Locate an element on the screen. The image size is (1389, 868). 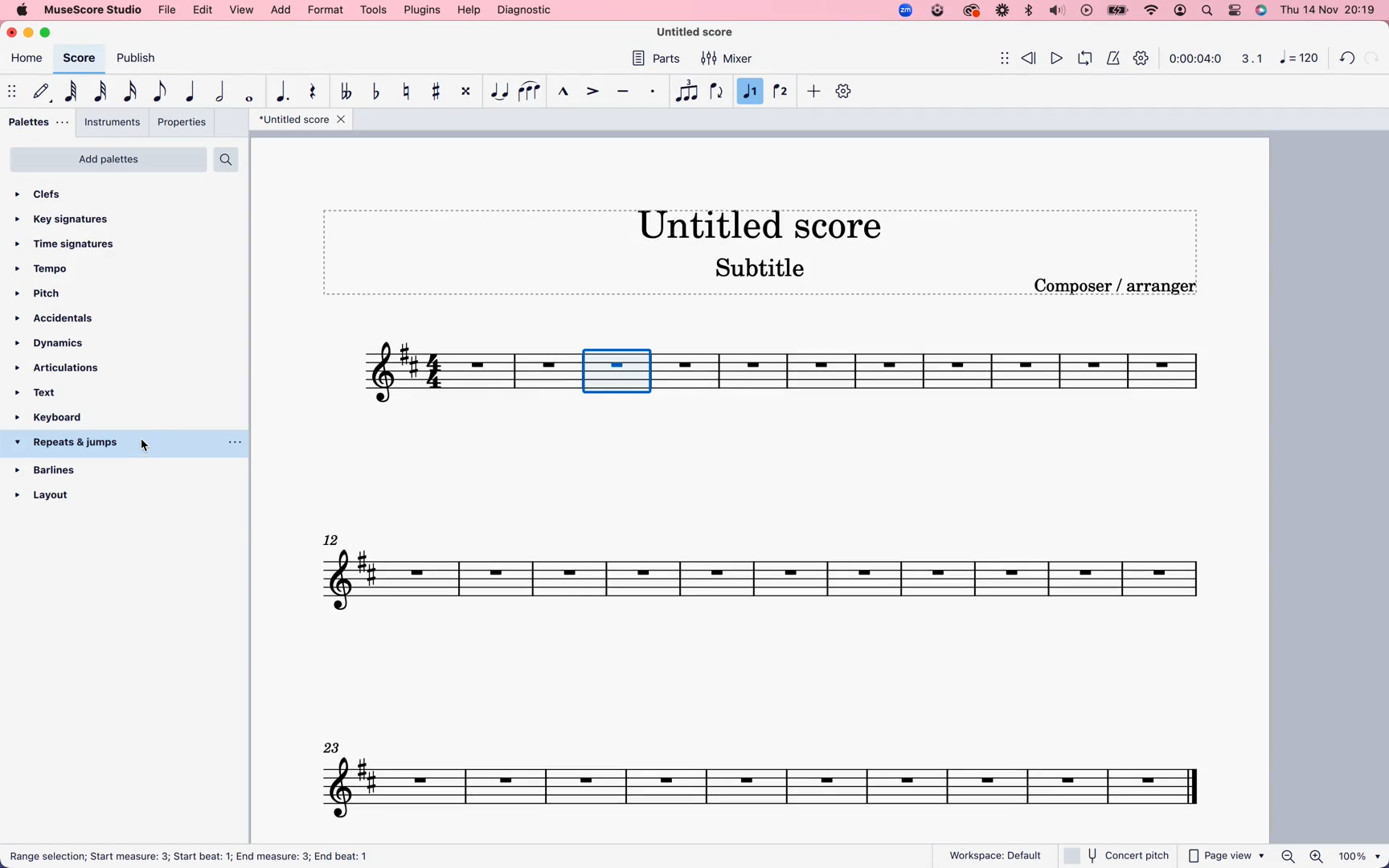
volume is located at coordinates (1057, 11).